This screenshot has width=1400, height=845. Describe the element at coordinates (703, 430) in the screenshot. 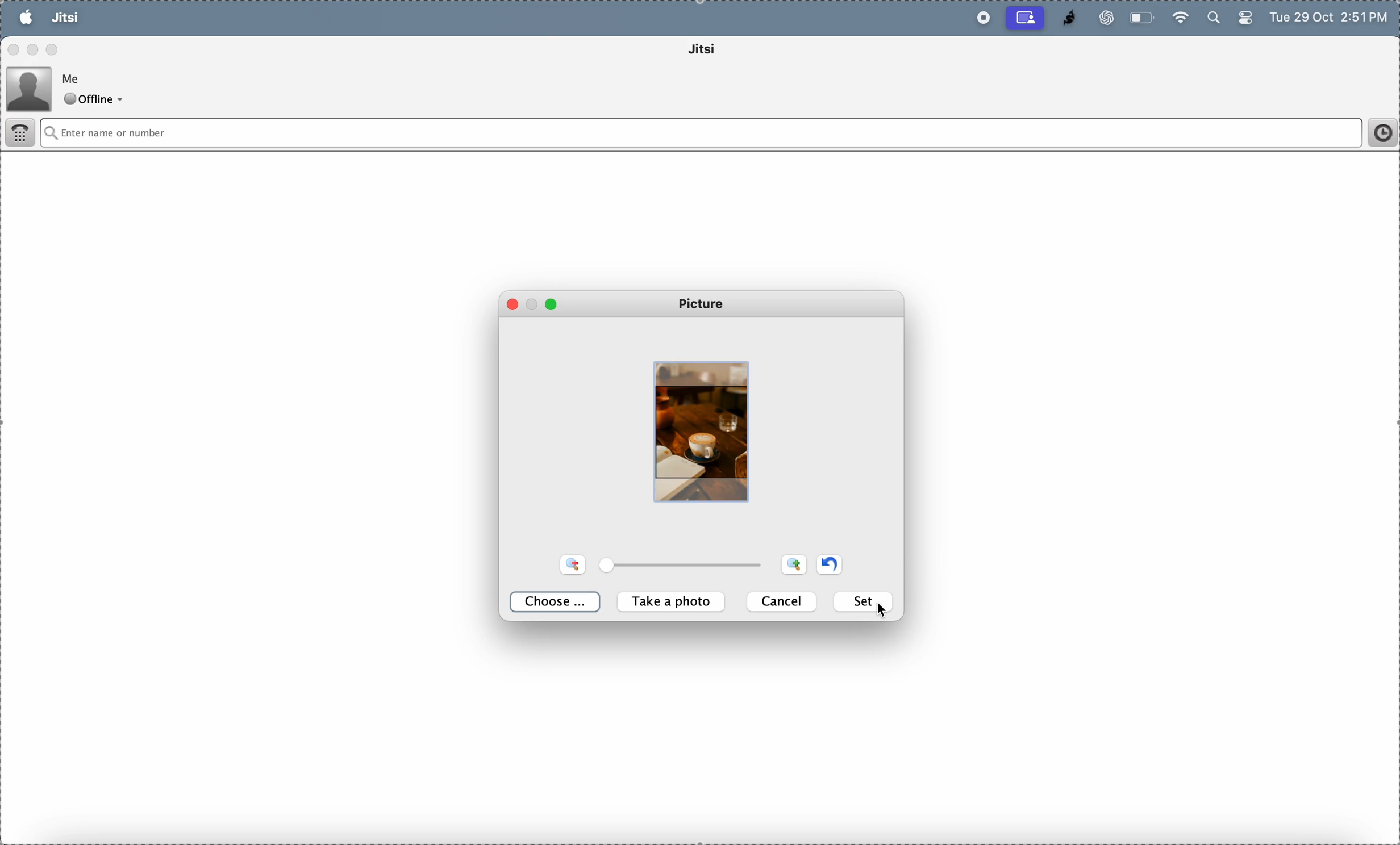

I see `new image` at that location.